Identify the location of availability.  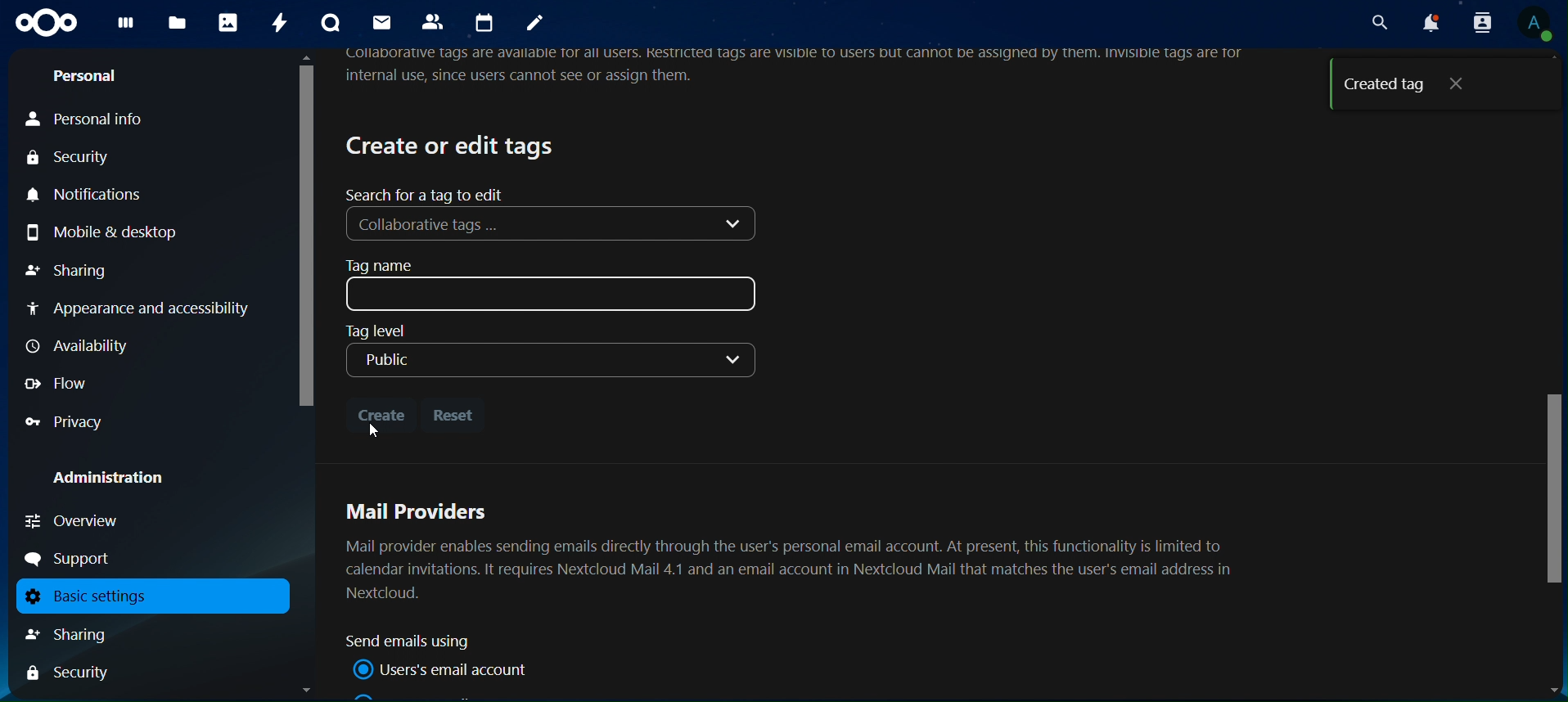
(83, 346).